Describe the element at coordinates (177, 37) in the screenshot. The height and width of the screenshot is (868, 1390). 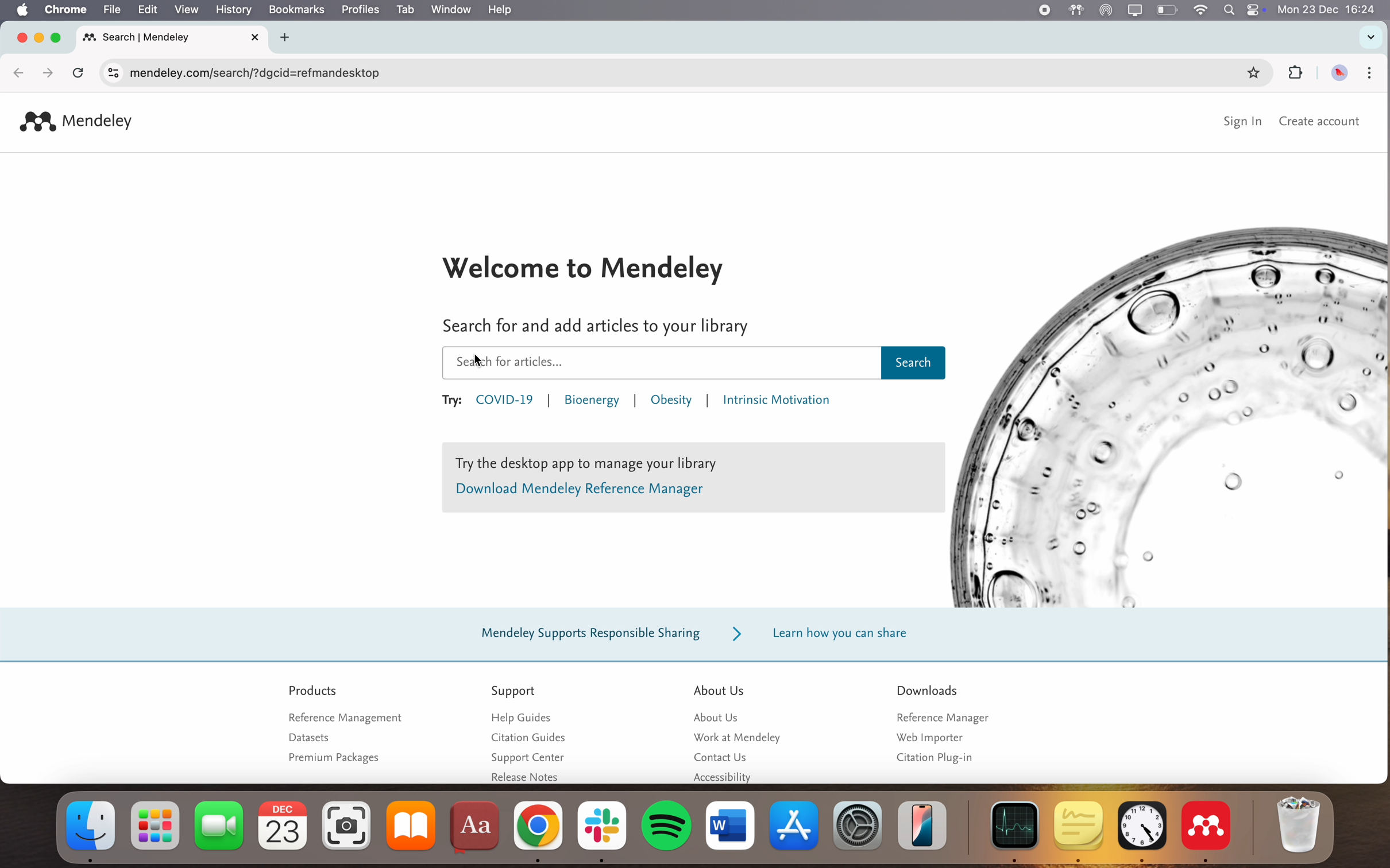
I see `tab` at that location.